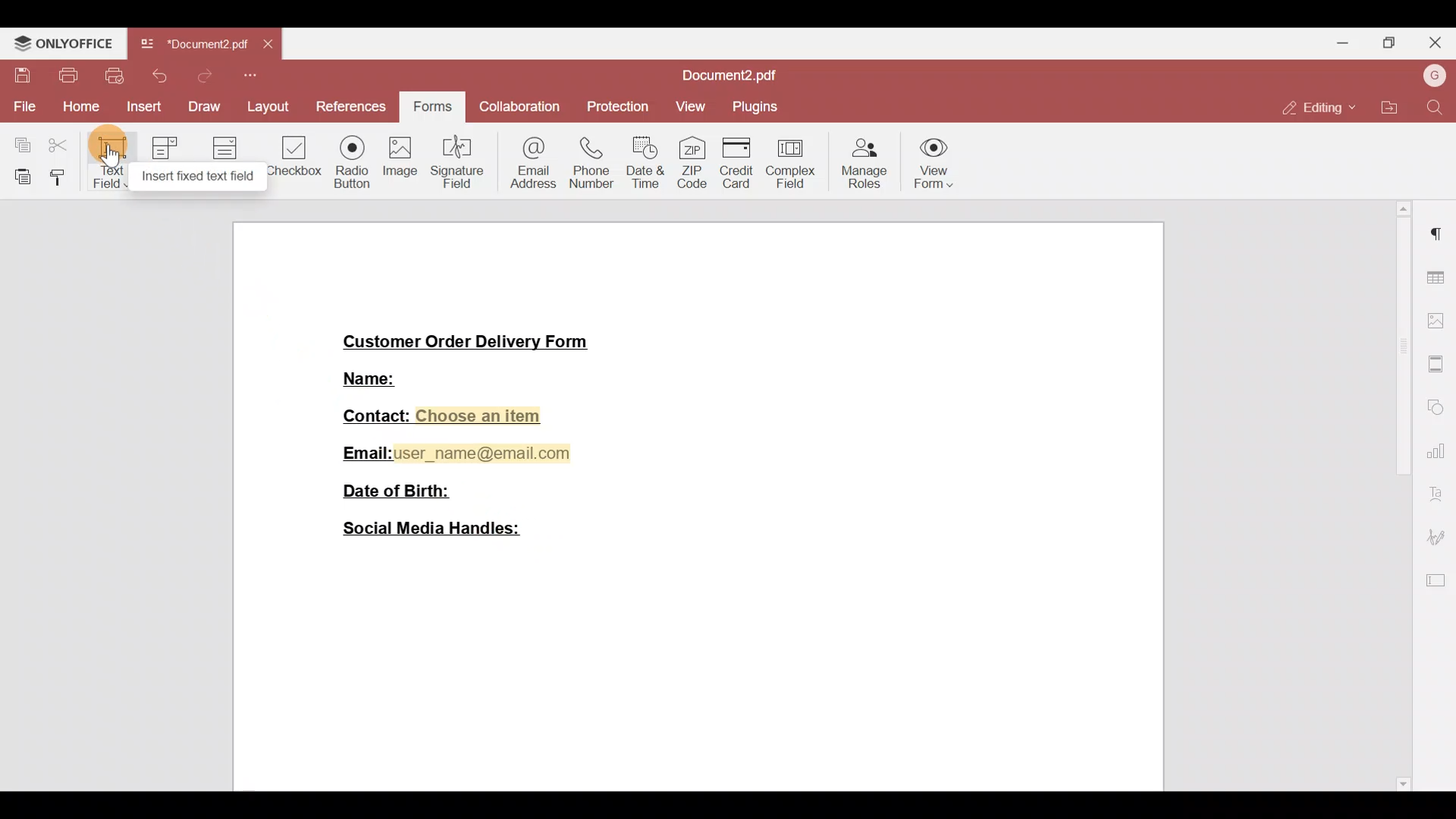 The image size is (1456, 819). I want to click on Combo box, so click(167, 160).